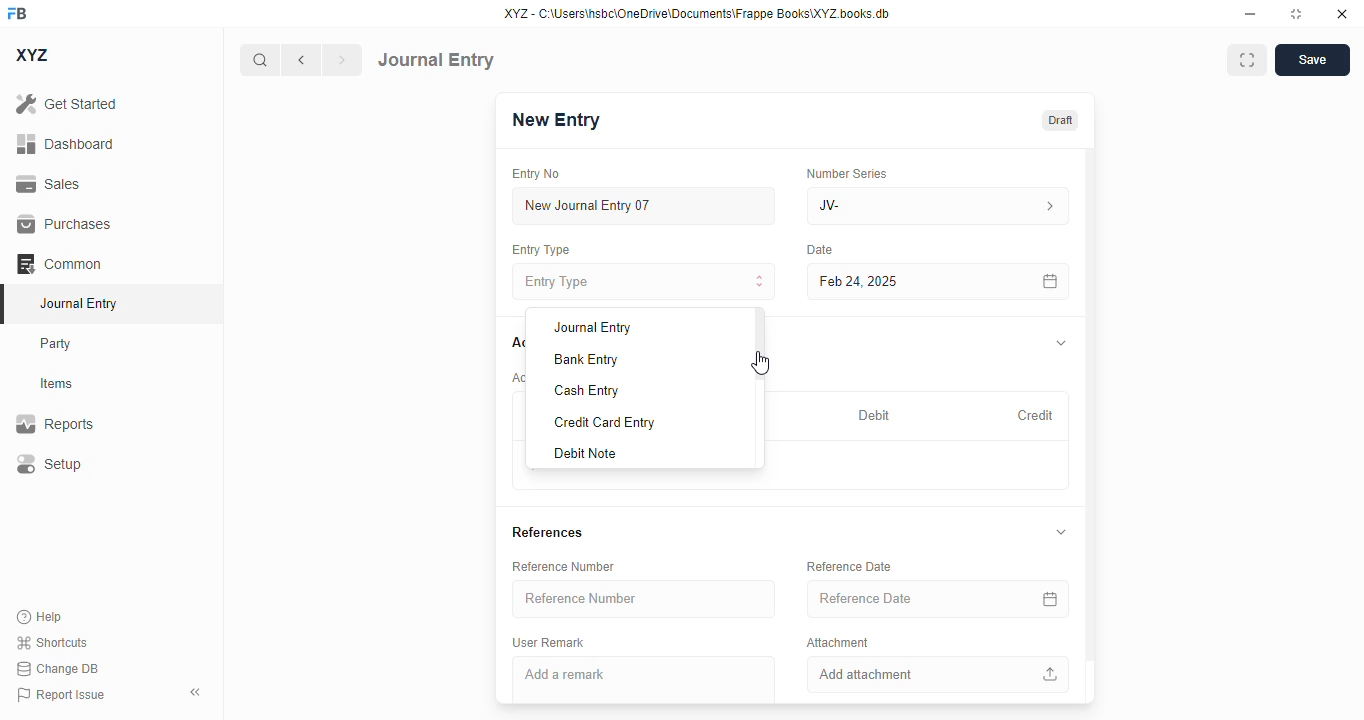  I want to click on references, so click(548, 533).